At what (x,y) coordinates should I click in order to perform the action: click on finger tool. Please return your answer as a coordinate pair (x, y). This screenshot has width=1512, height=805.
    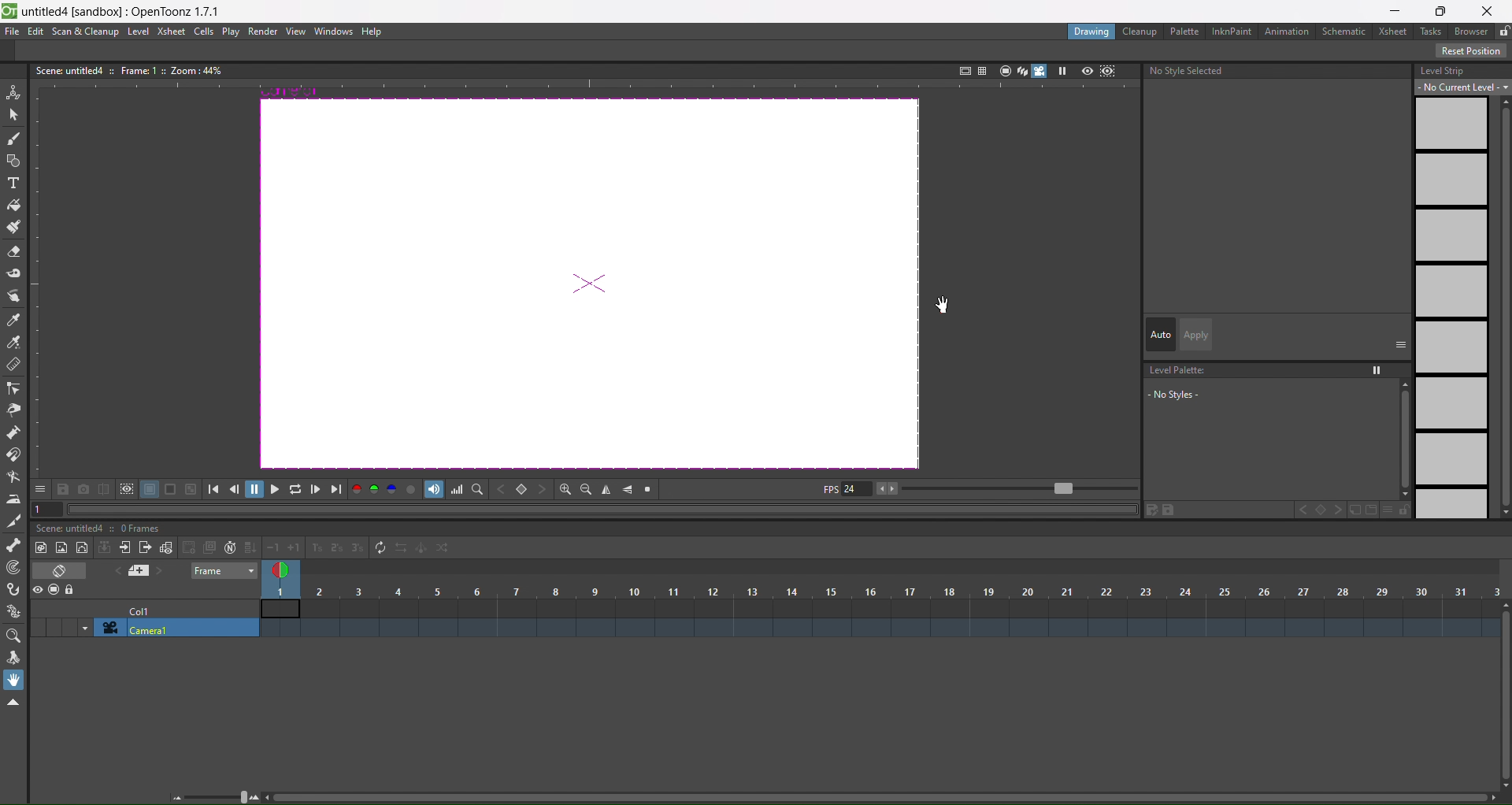
    Looking at the image, I should click on (14, 298).